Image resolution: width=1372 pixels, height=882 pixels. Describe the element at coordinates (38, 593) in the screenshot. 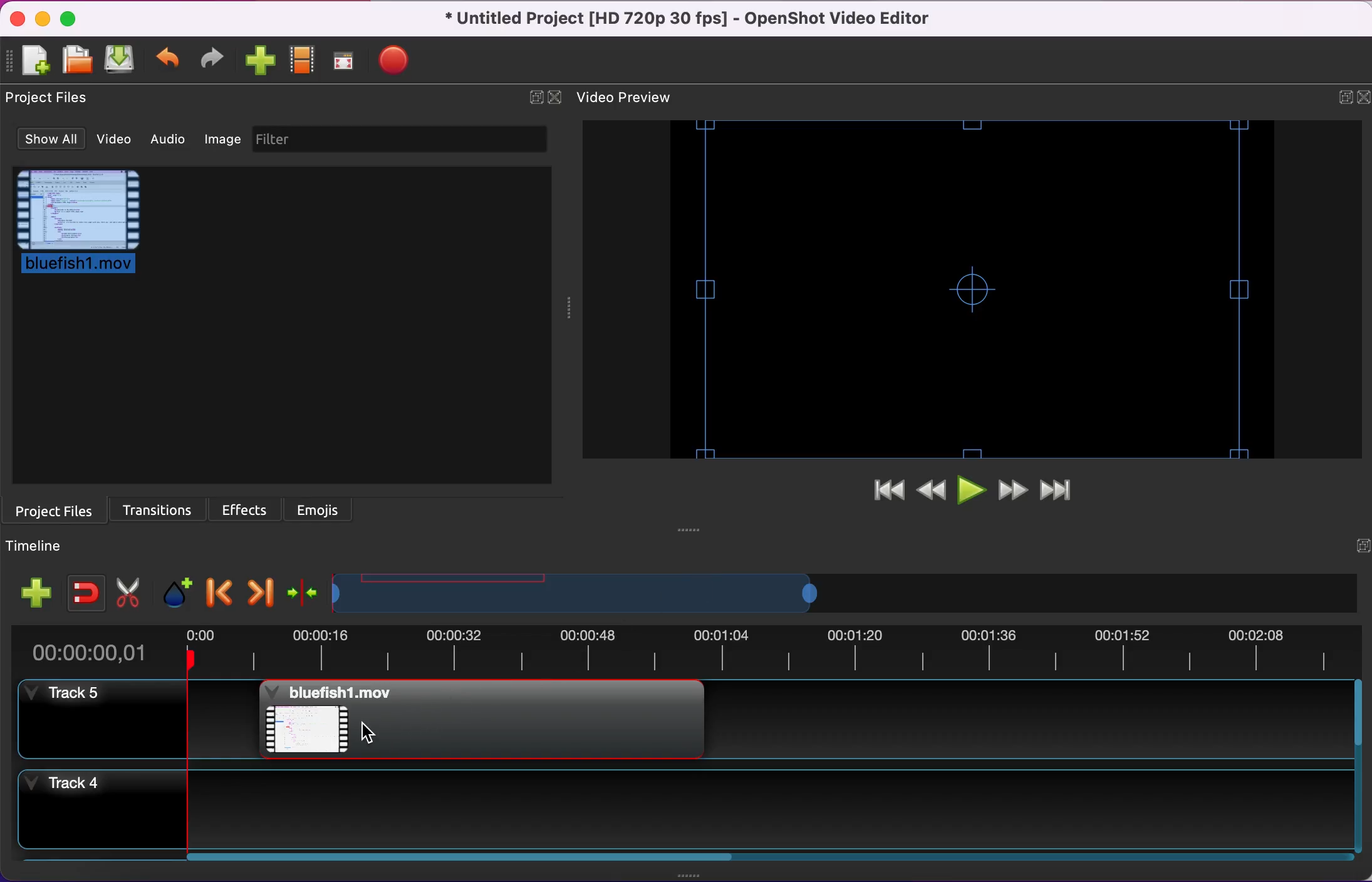

I see `add track` at that location.